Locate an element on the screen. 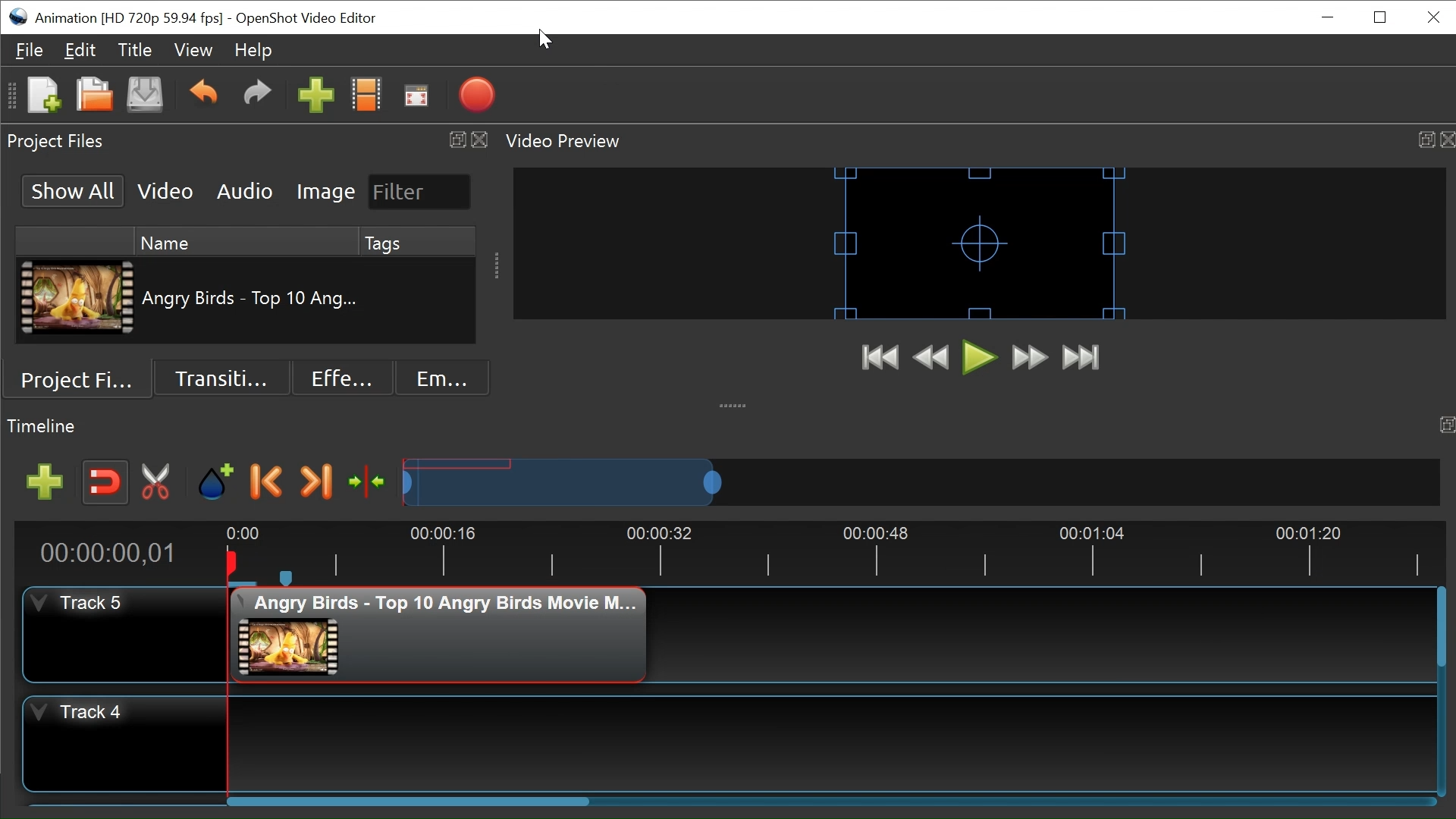  Title is located at coordinates (135, 52).